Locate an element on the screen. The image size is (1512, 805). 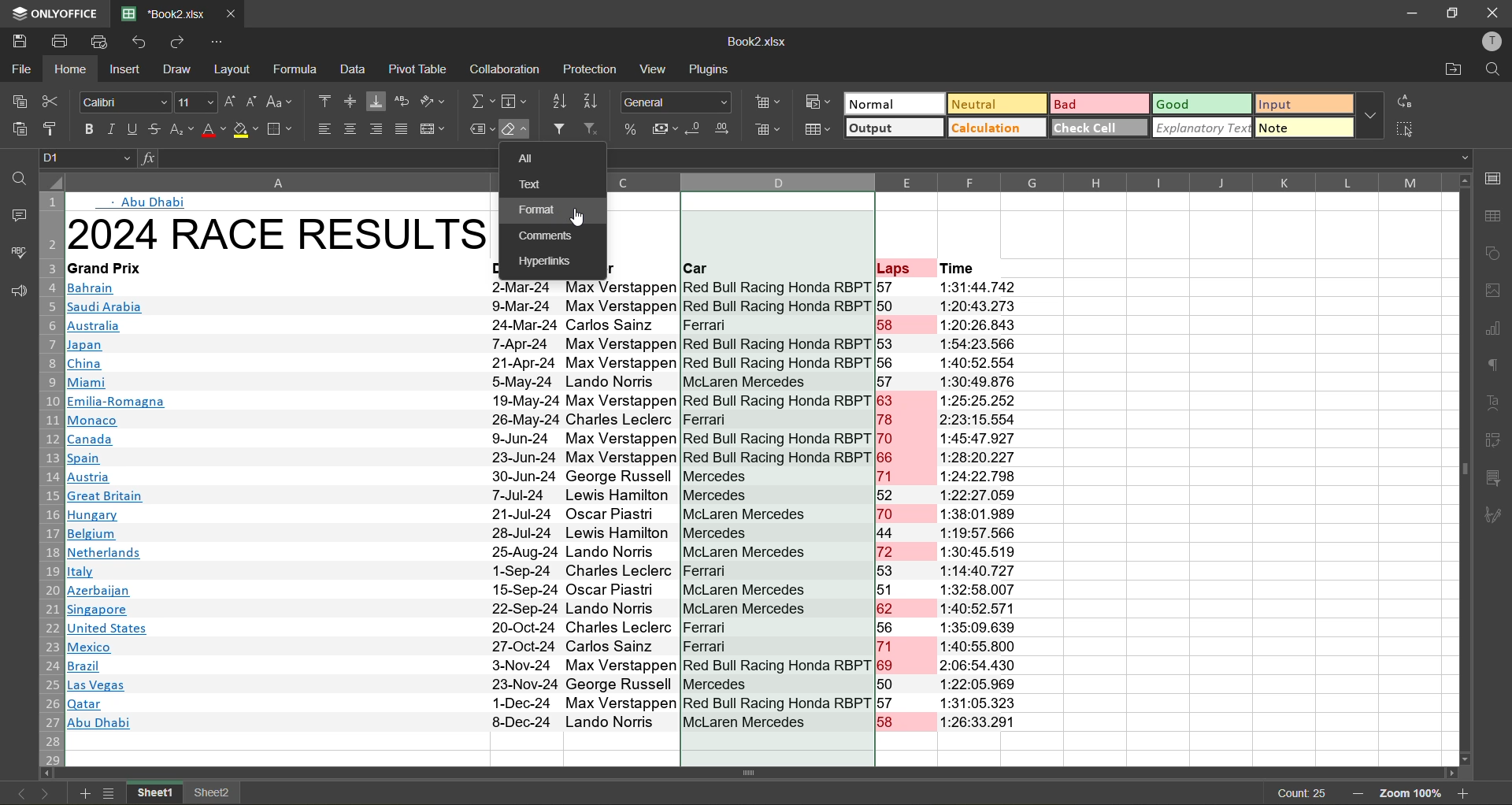
cursor is located at coordinates (580, 220).